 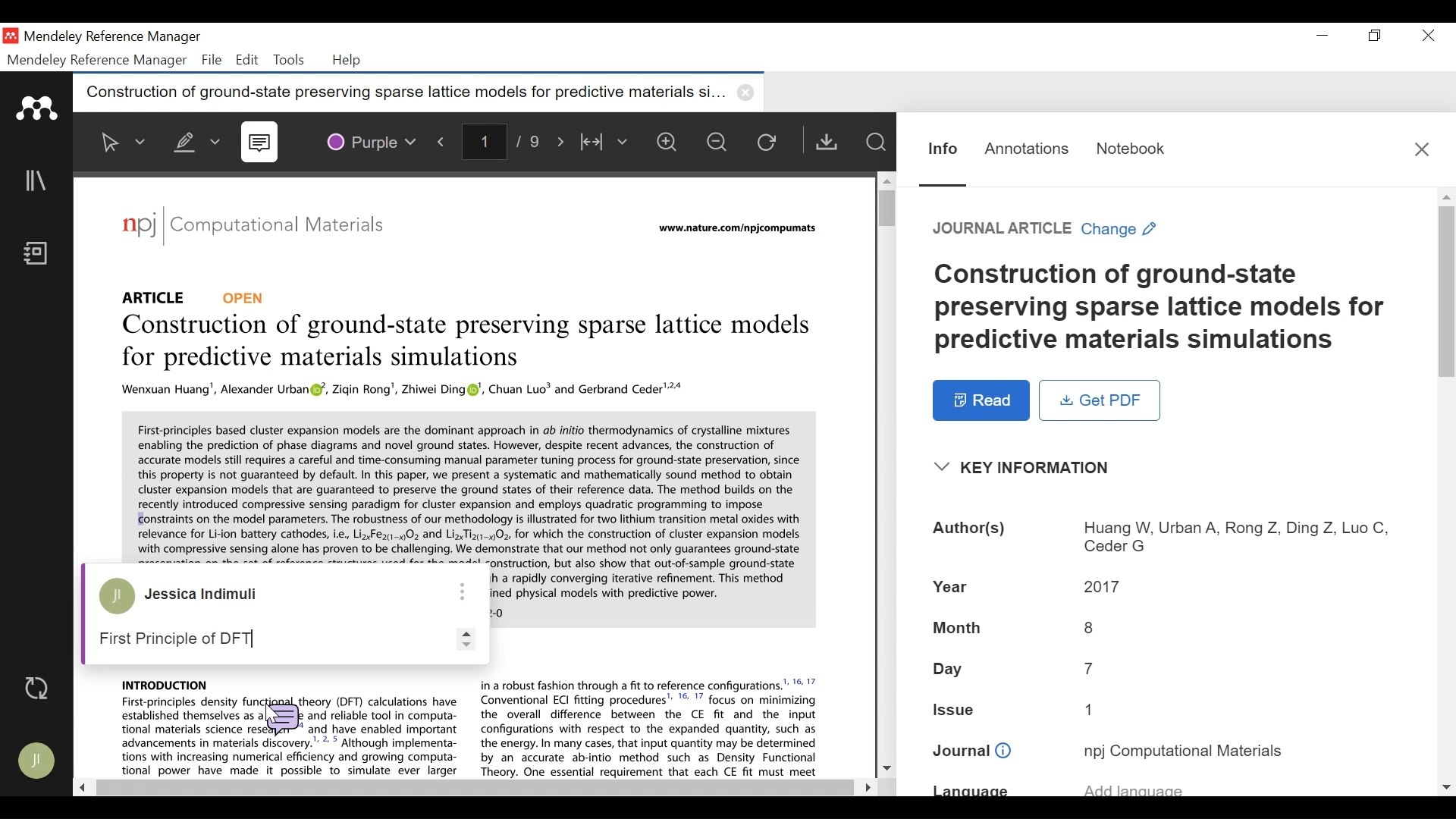 What do you see at coordinates (372, 140) in the screenshot?
I see `Color` at bounding box center [372, 140].